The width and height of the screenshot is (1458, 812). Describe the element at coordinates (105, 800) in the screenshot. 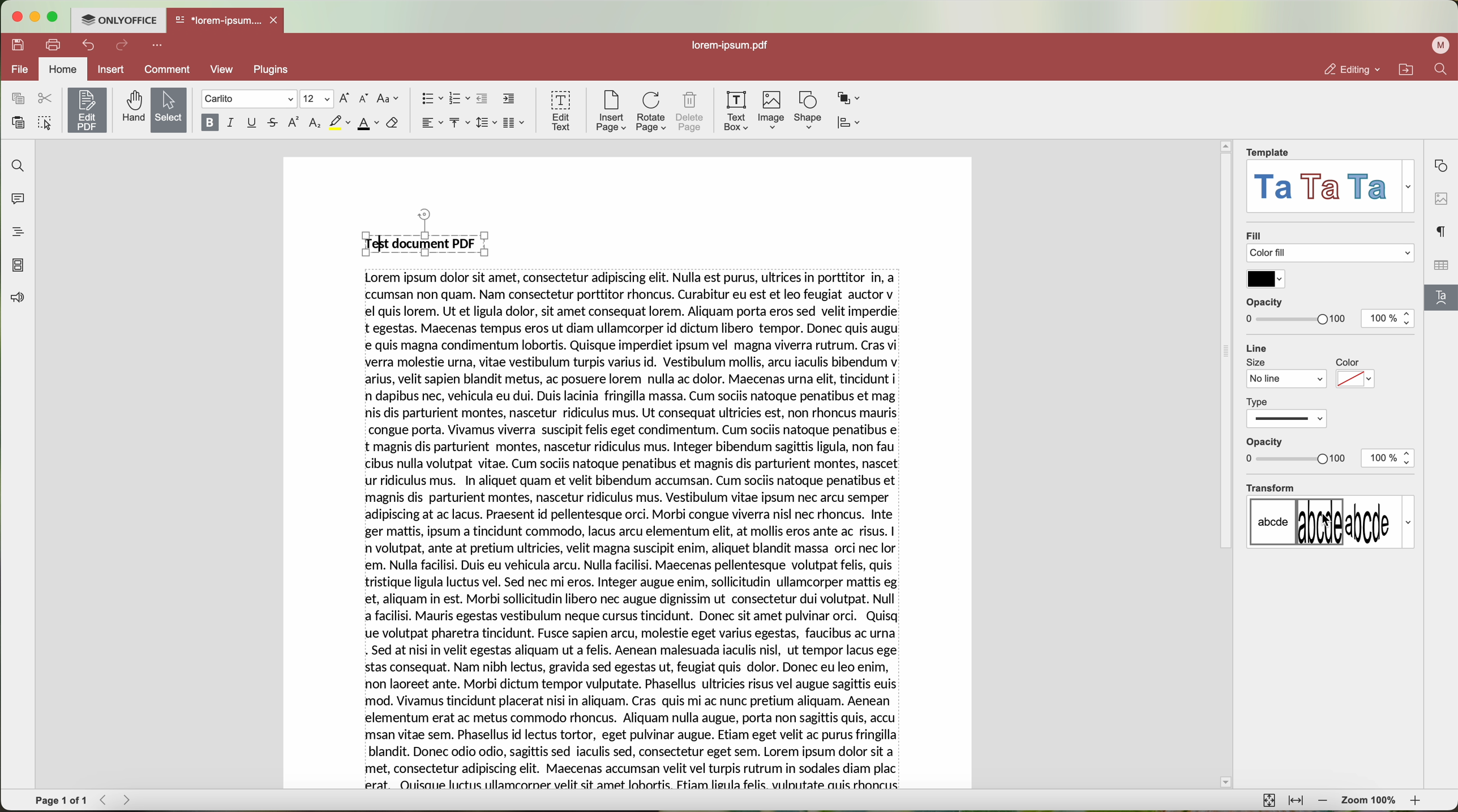

I see `Backward` at that location.